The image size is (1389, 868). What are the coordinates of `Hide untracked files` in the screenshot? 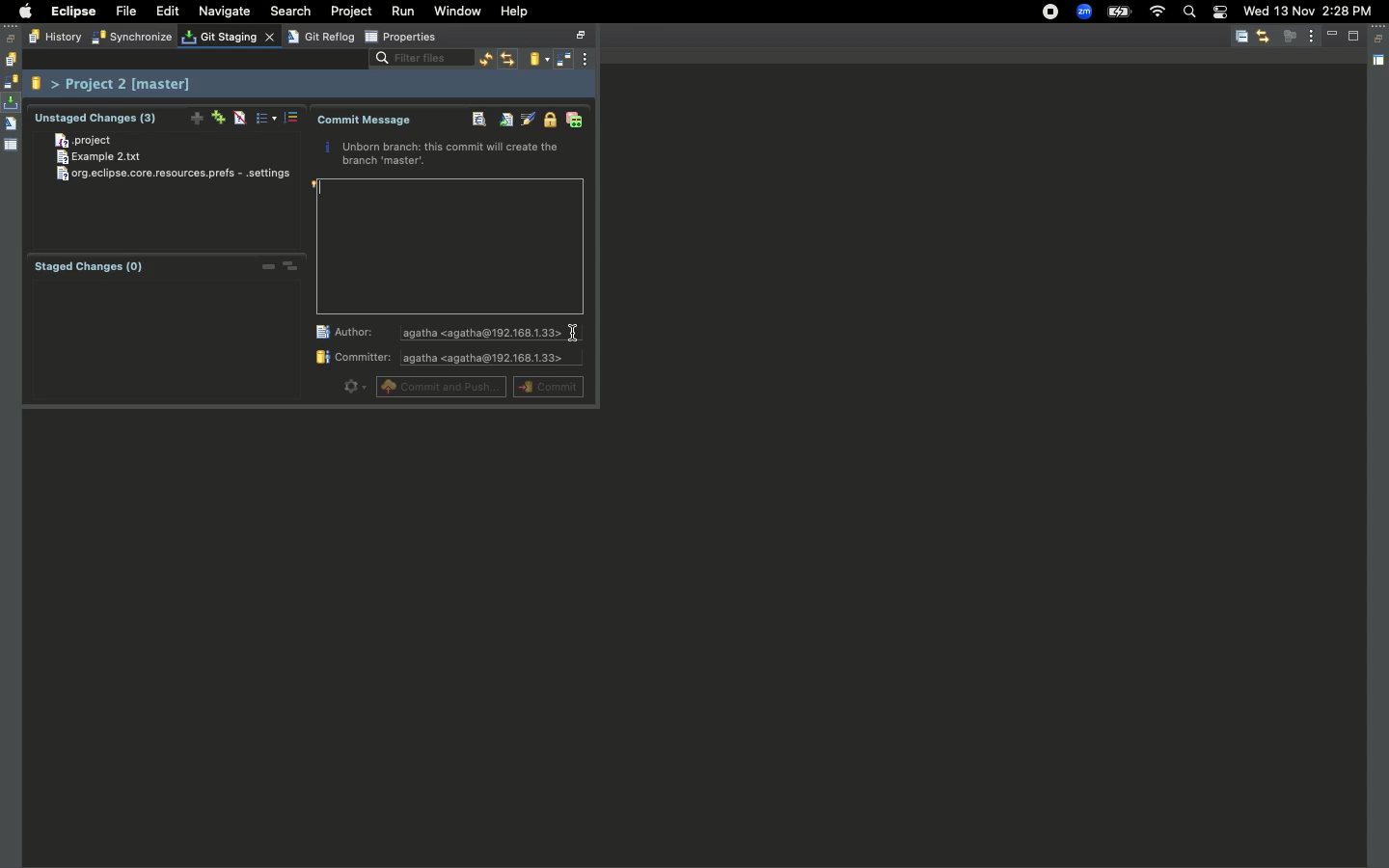 It's located at (239, 119).